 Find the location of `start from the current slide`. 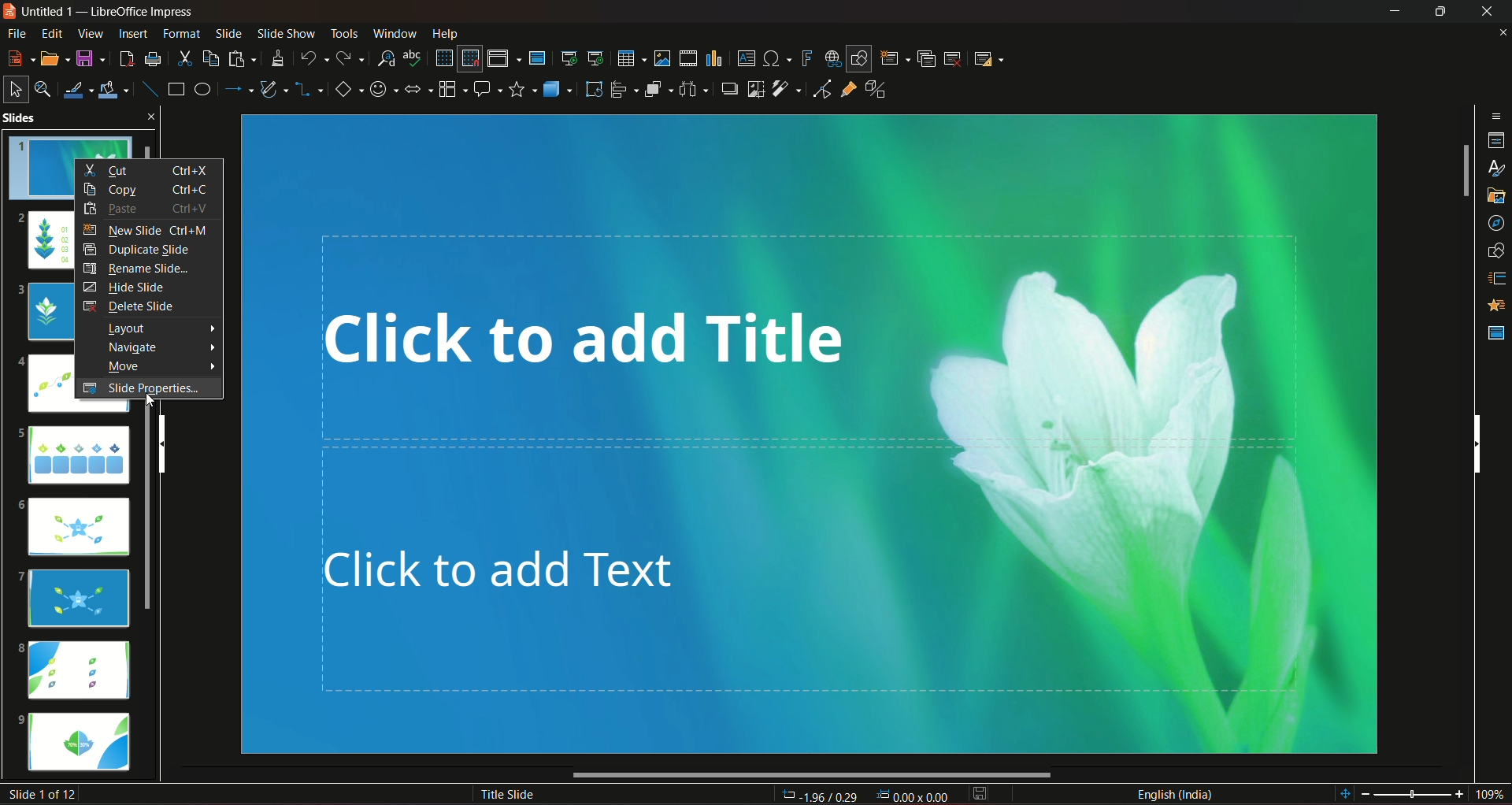

start from the current slide is located at coordinates (596, 57).